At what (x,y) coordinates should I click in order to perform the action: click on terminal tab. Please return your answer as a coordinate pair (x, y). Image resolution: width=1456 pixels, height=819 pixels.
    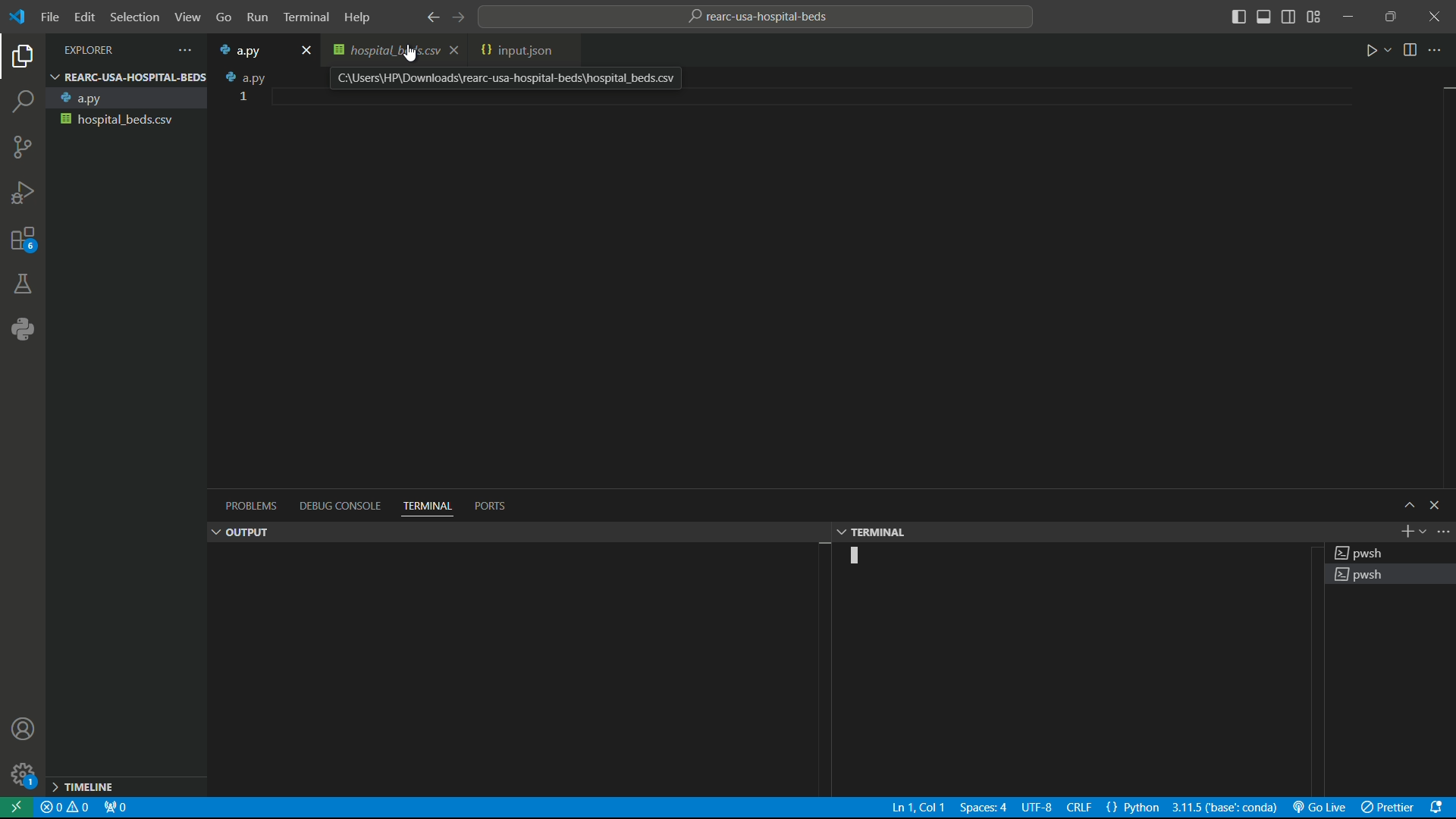
    Looking at the image, I should click on (428, 505).